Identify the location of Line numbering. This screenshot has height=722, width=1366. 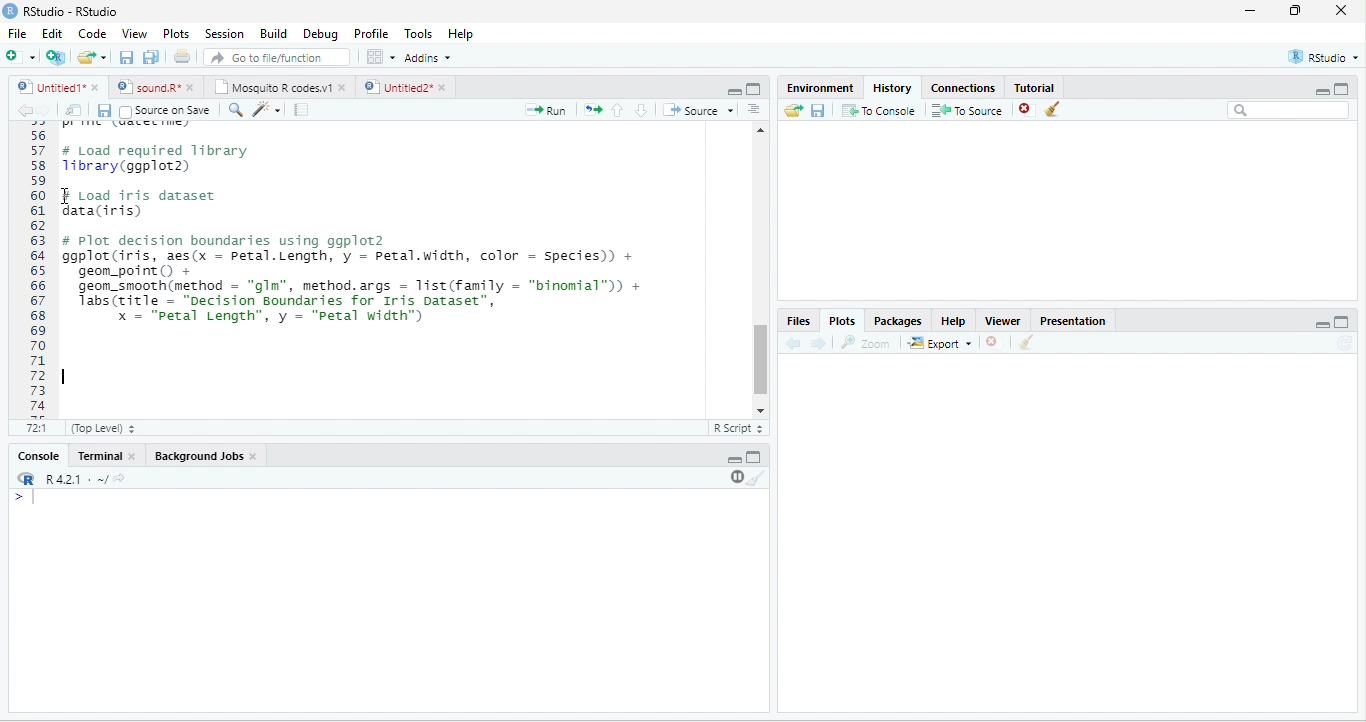
(37, 270).